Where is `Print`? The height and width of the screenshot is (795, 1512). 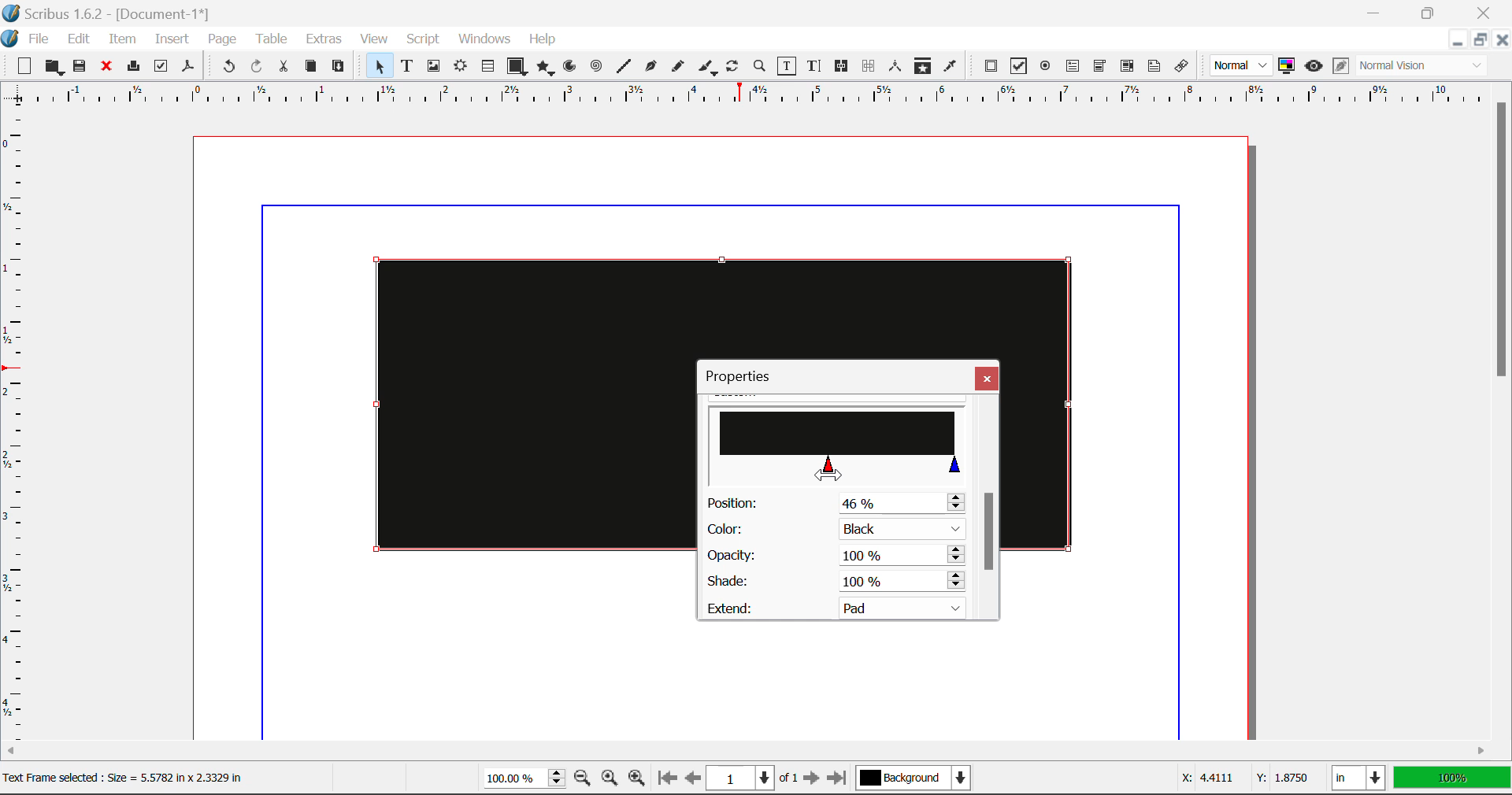 Print is located at coordinates (132, 66).